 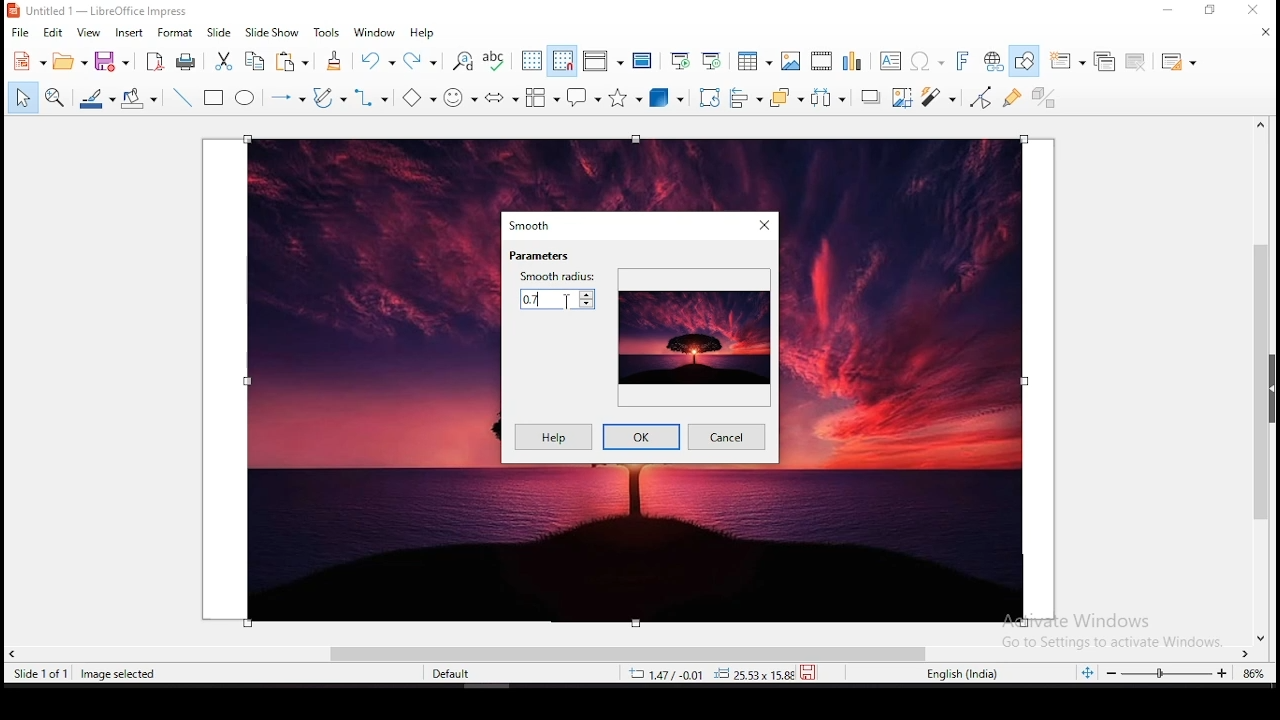 I want to click on close, so click(x=1264, y=32).